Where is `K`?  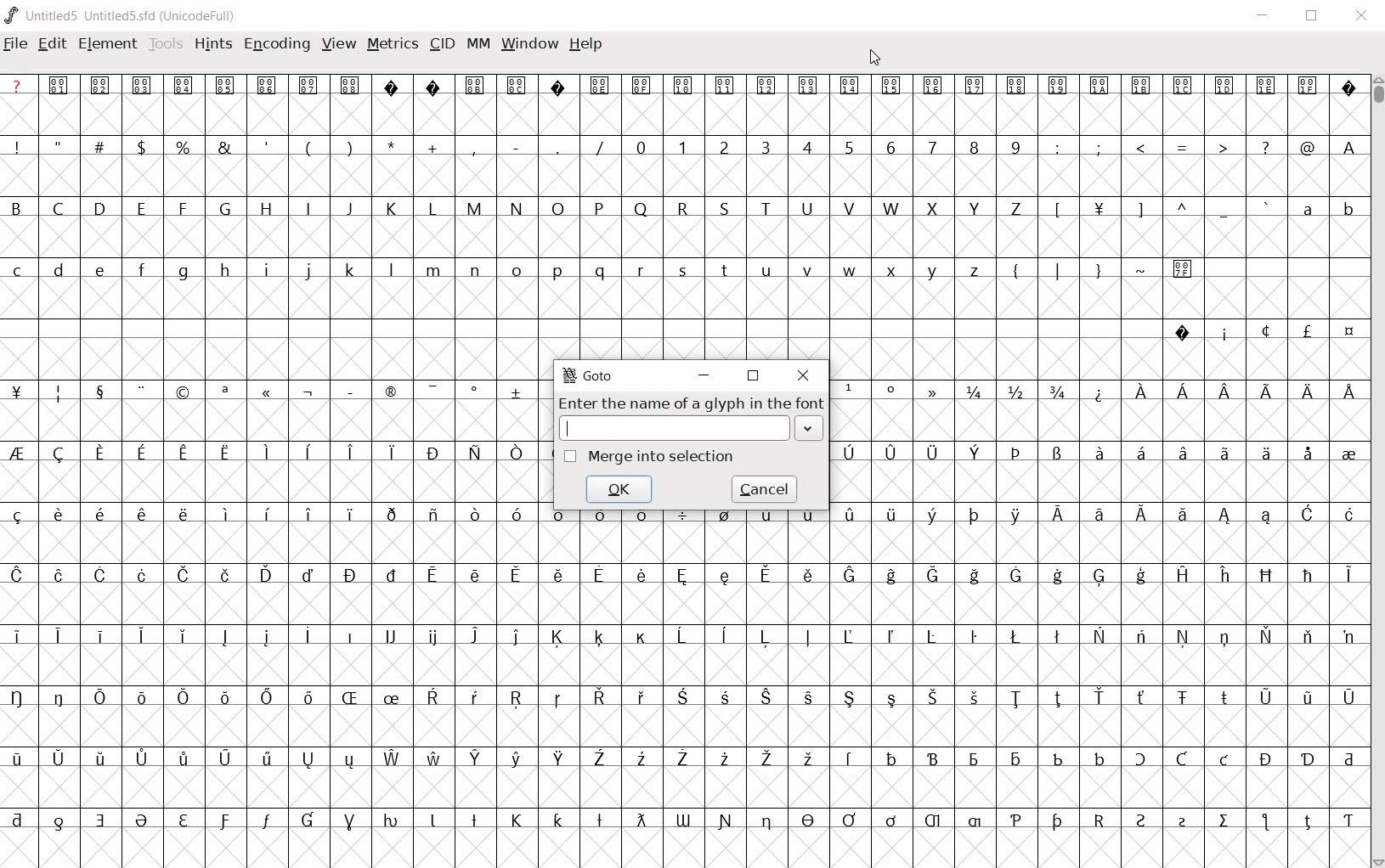 K is located at coordinates (391, 208).